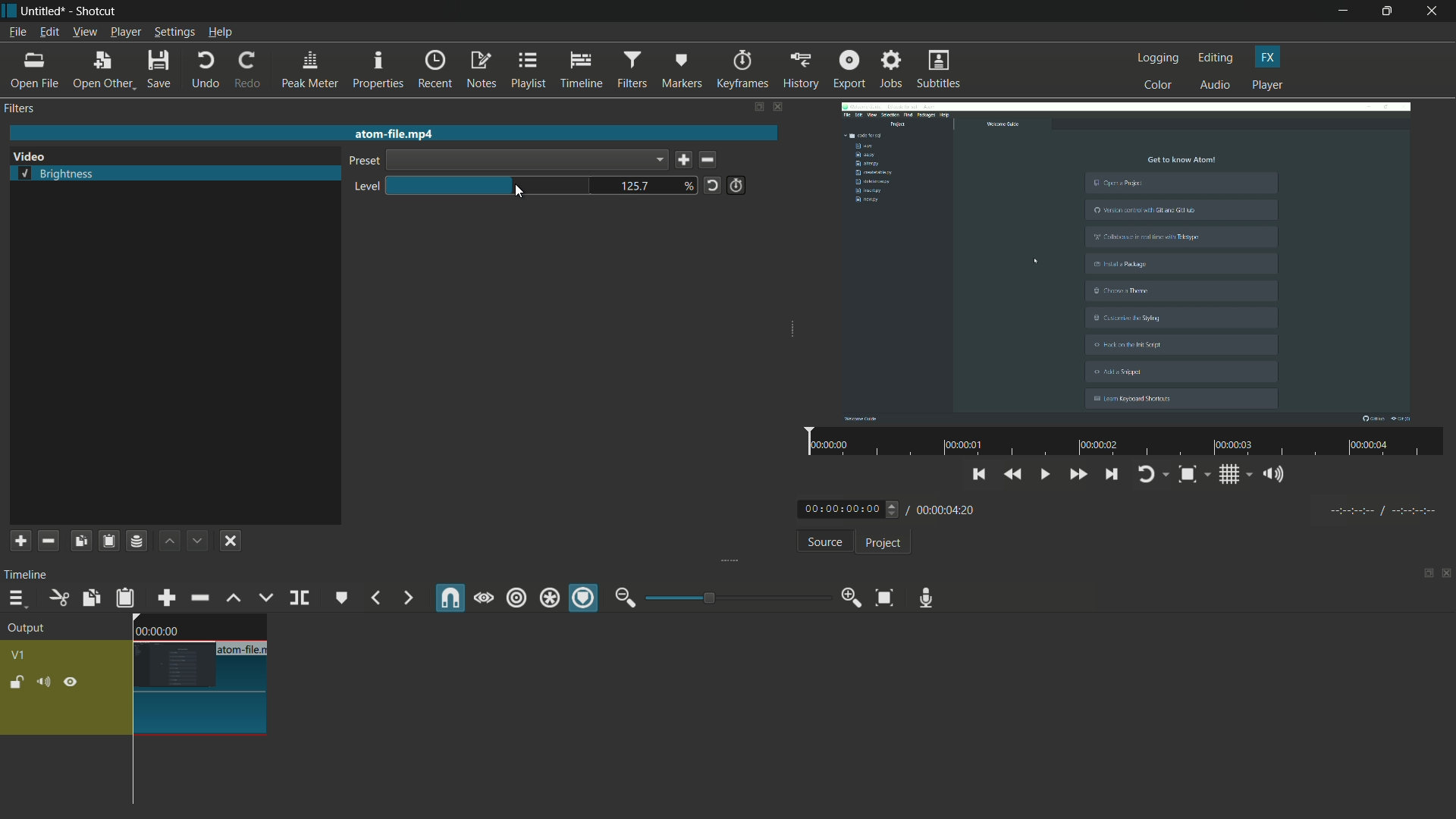 This screenshot has width=1456, height=819. I want to click on open file, so click(36, 71).